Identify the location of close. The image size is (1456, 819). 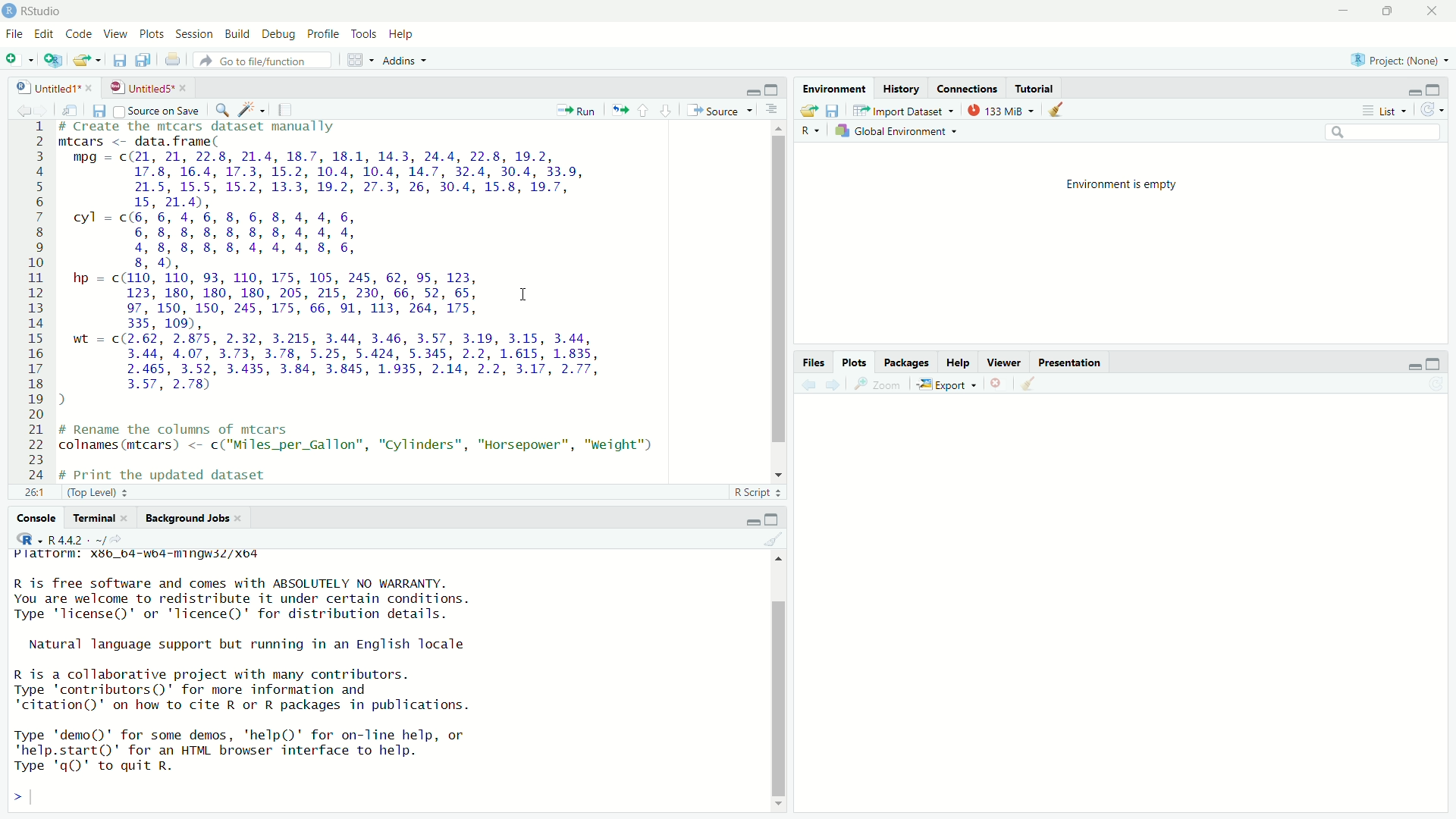
(997, 386).